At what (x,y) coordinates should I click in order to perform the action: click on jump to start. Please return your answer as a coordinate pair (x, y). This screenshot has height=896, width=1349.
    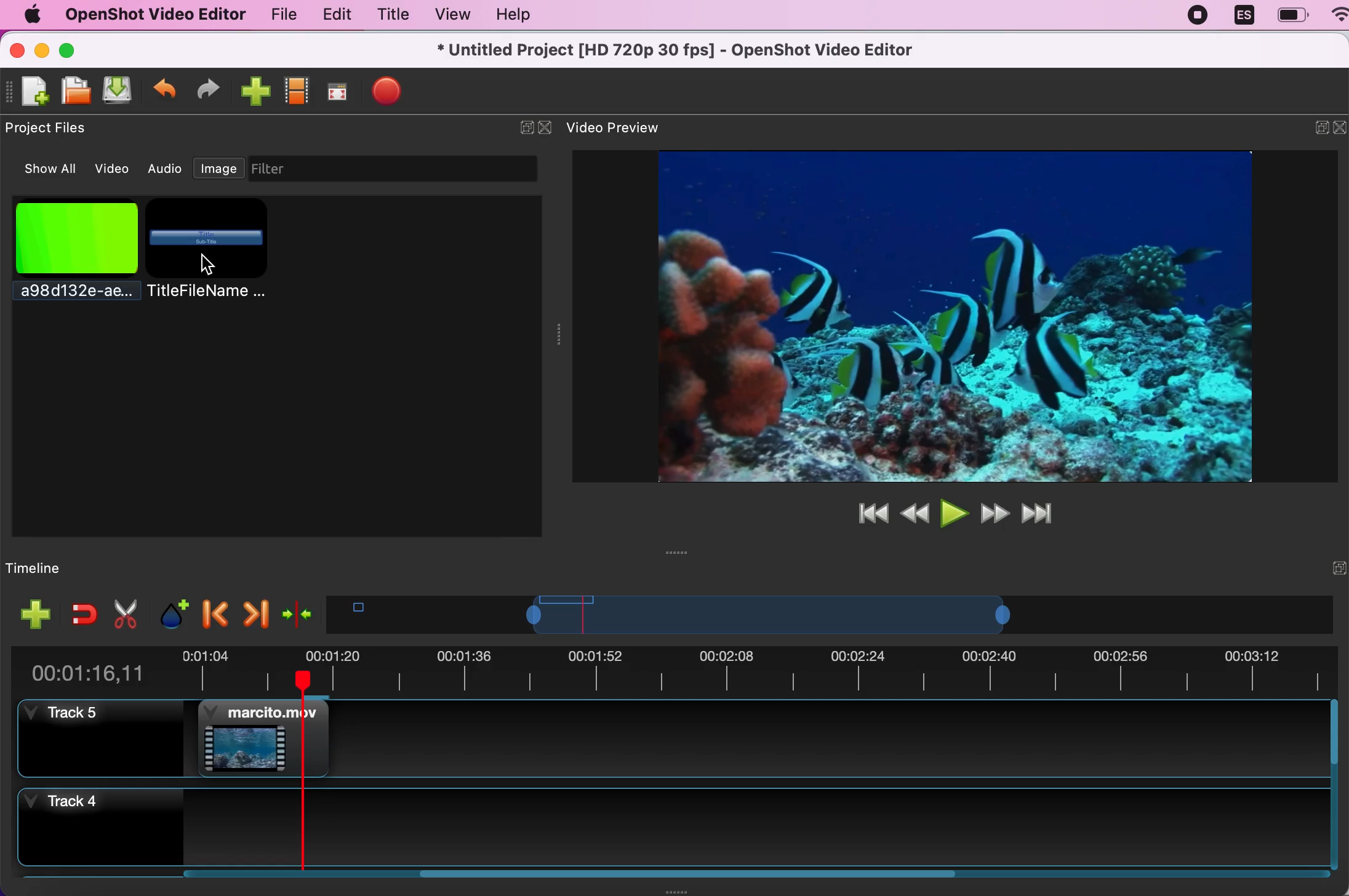
    Looking at the image, I should click on (869, 513).